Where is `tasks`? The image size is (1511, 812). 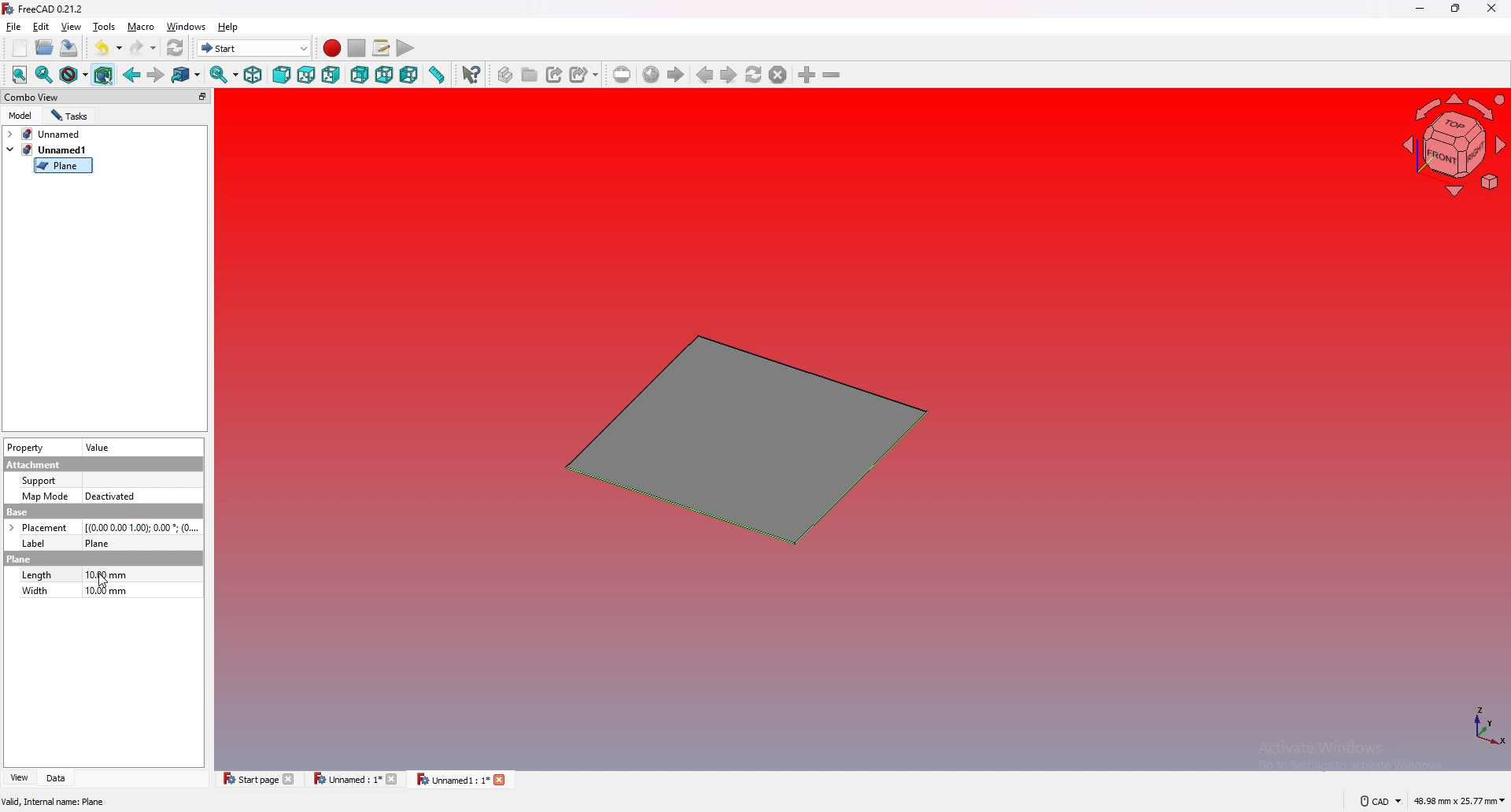
tasks is located at coordinates (70, 116).